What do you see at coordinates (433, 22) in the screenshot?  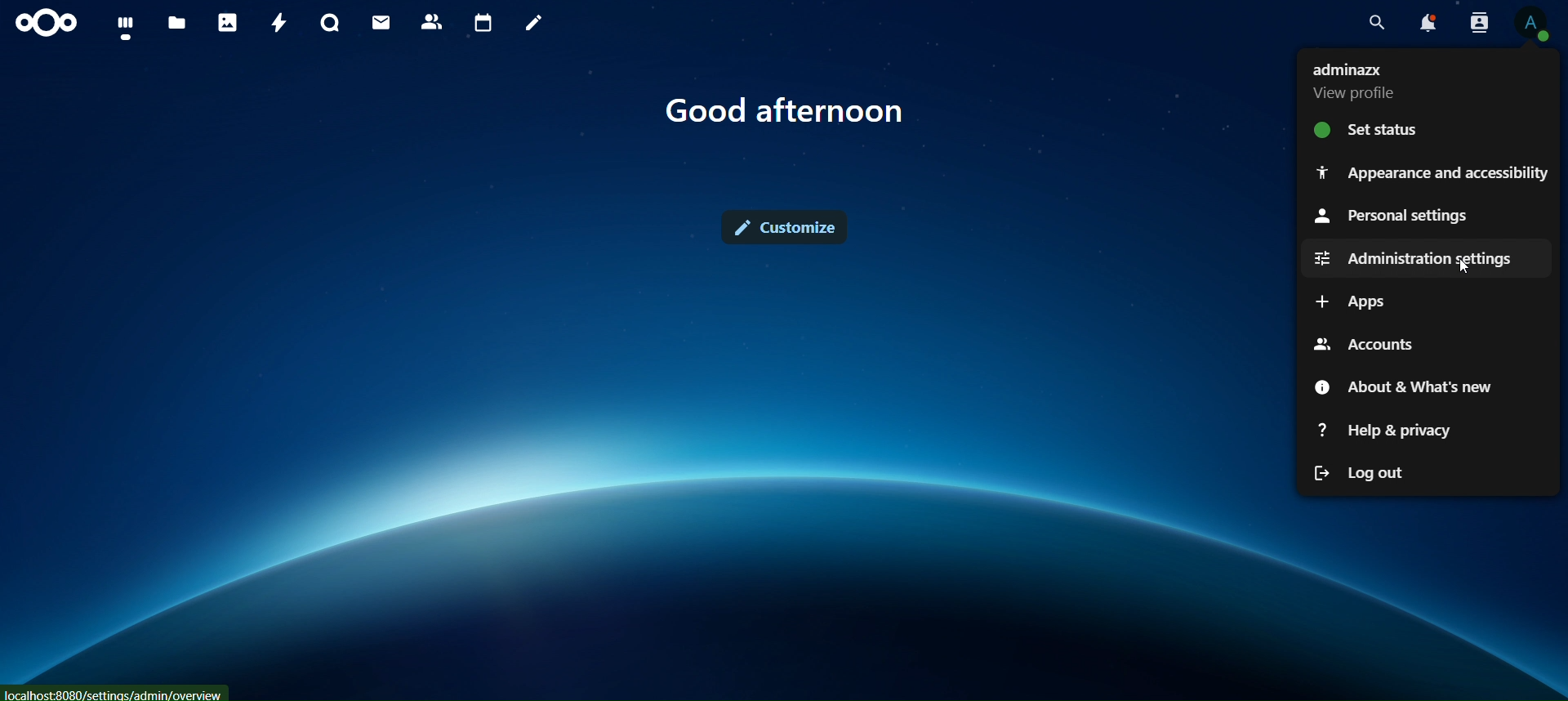 I see `contact` at bounding box center [433, 22].